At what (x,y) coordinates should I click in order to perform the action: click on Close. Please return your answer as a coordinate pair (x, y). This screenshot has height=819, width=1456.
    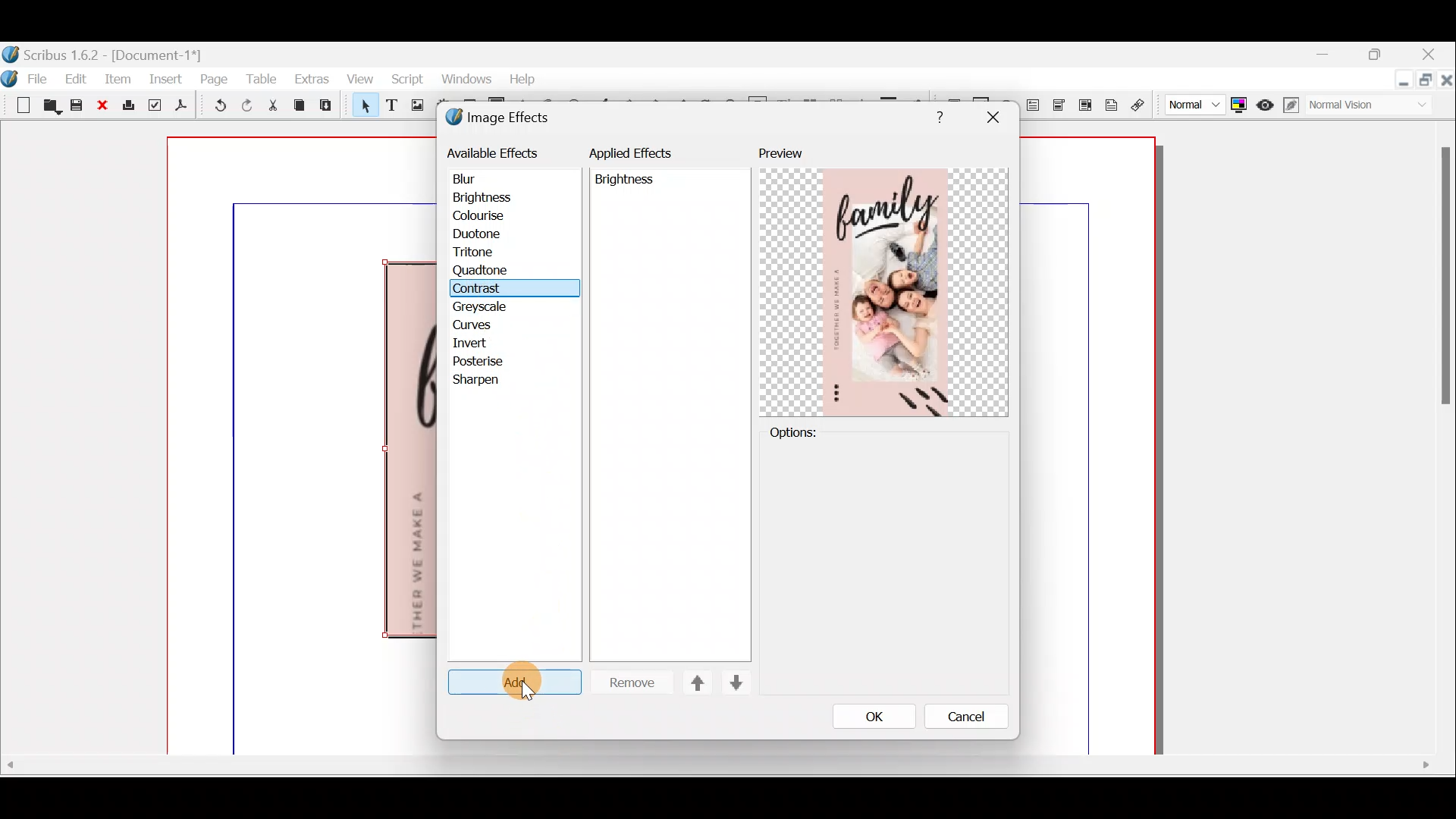
    Looking at the image, I should click on (1430, 56).